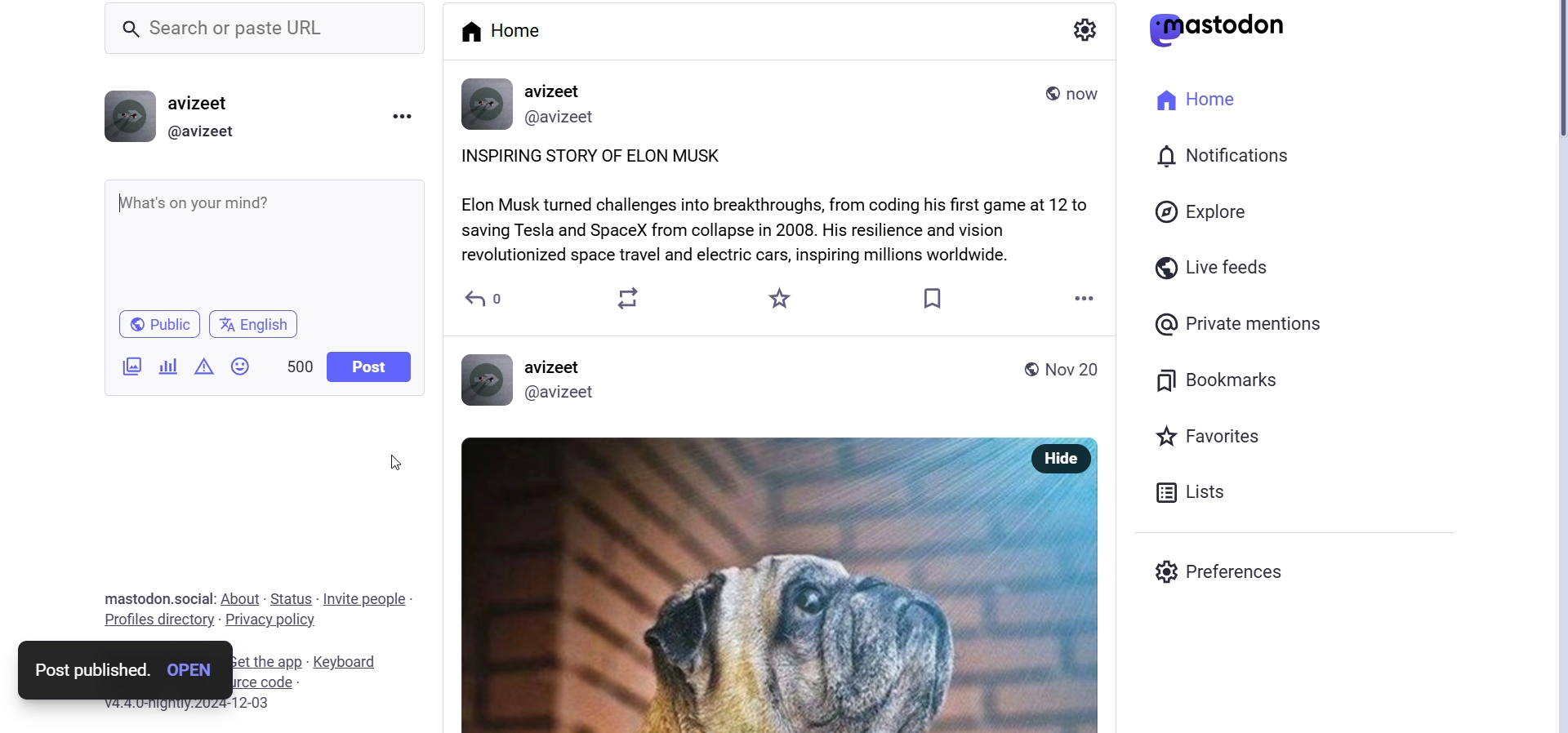 This screenshot has height=733, width=1568. What do you see at coordinates (301, 368) in the screenshot?
I see `word limit` at bounding box center [301, 368].